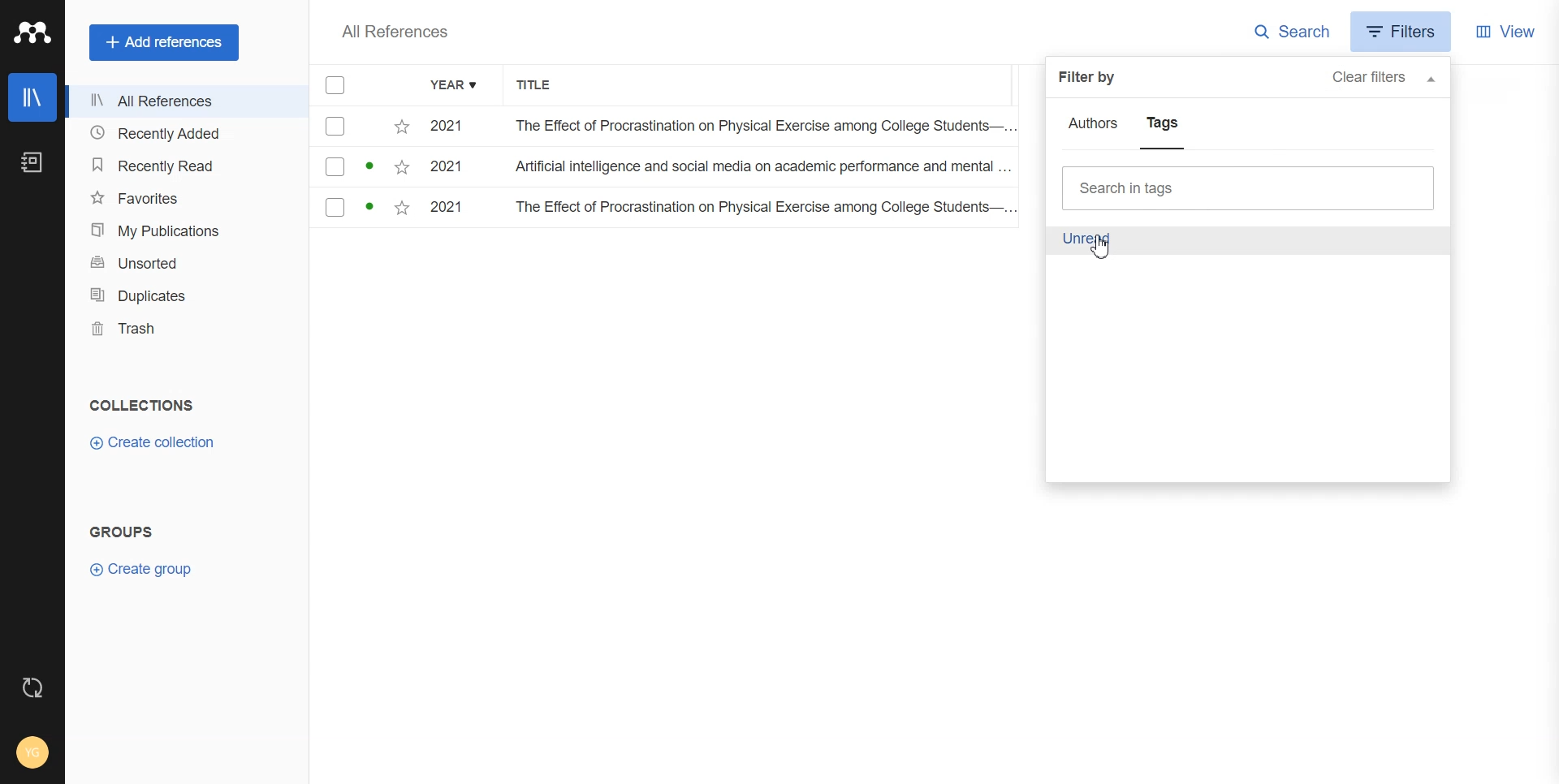 This screenshot has height=784, width=1559. Describe the element at coordinates (1100, 249) in the screenshot. I see `Cursor` at that location.